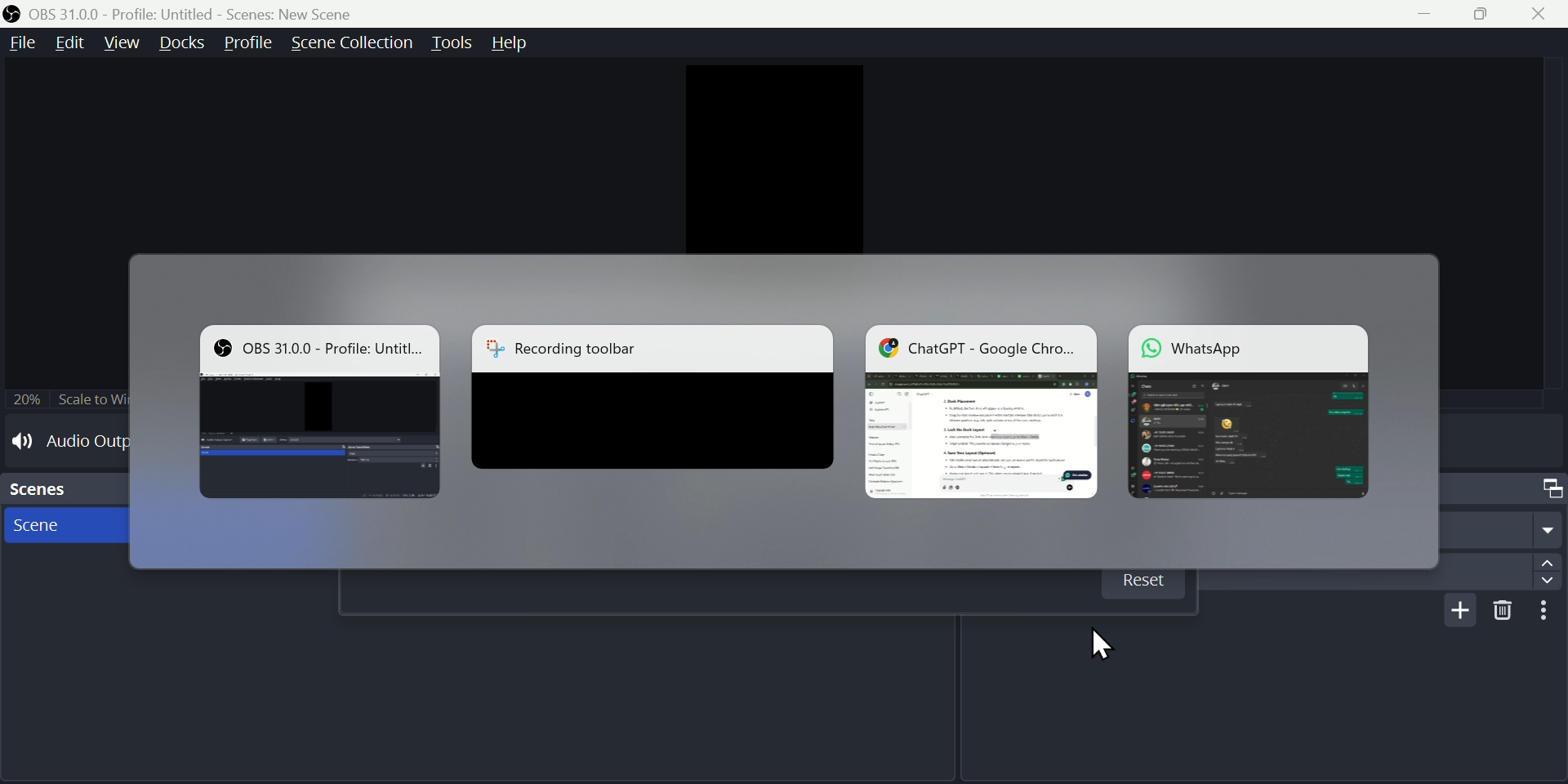 The image size is (1568, 784). Describe the element at coordinates (1479, 16) in the screenshot. I see `restore` at that location.